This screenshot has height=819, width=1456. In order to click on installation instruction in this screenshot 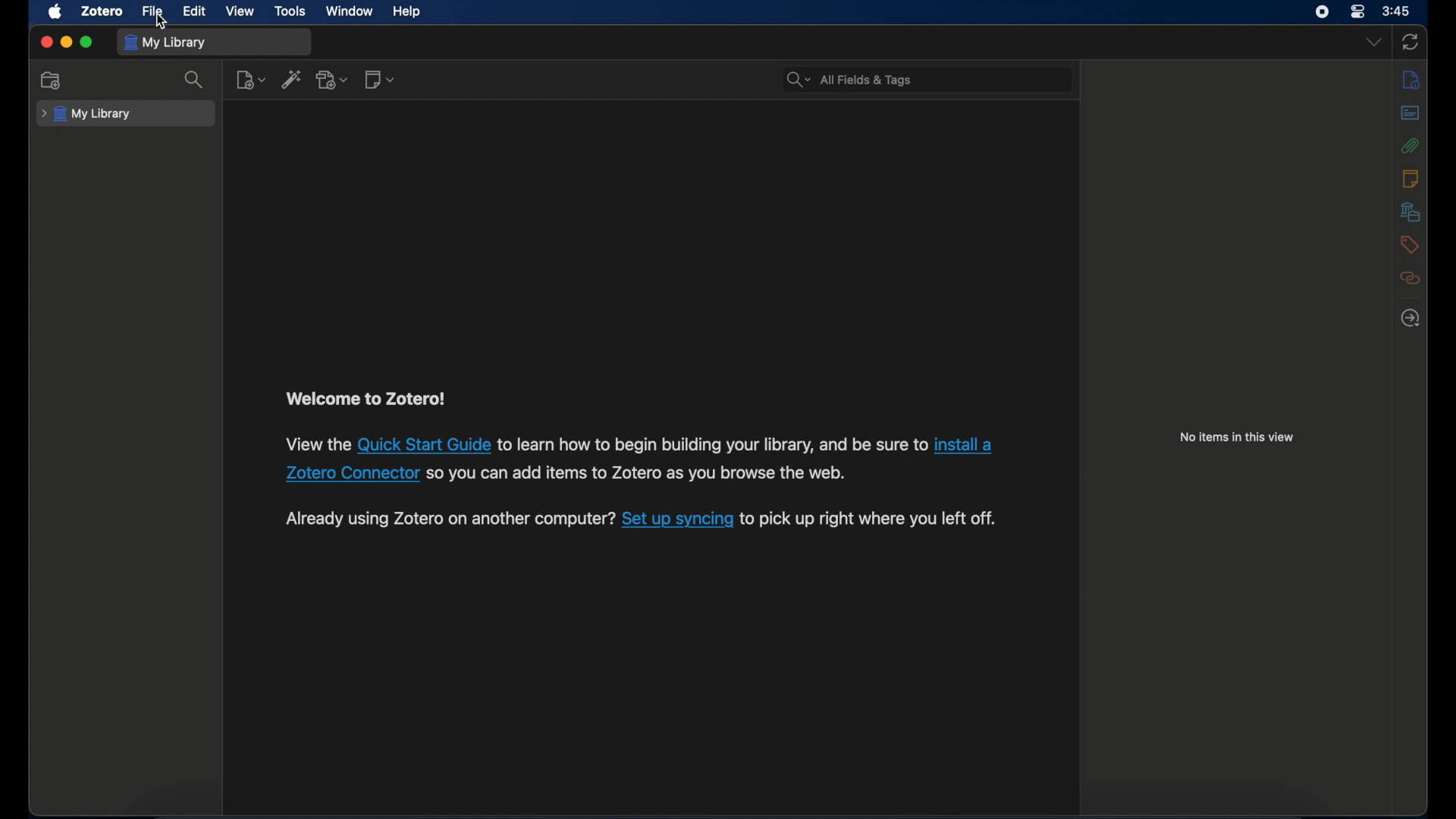, I will do `click(638, 459)`.